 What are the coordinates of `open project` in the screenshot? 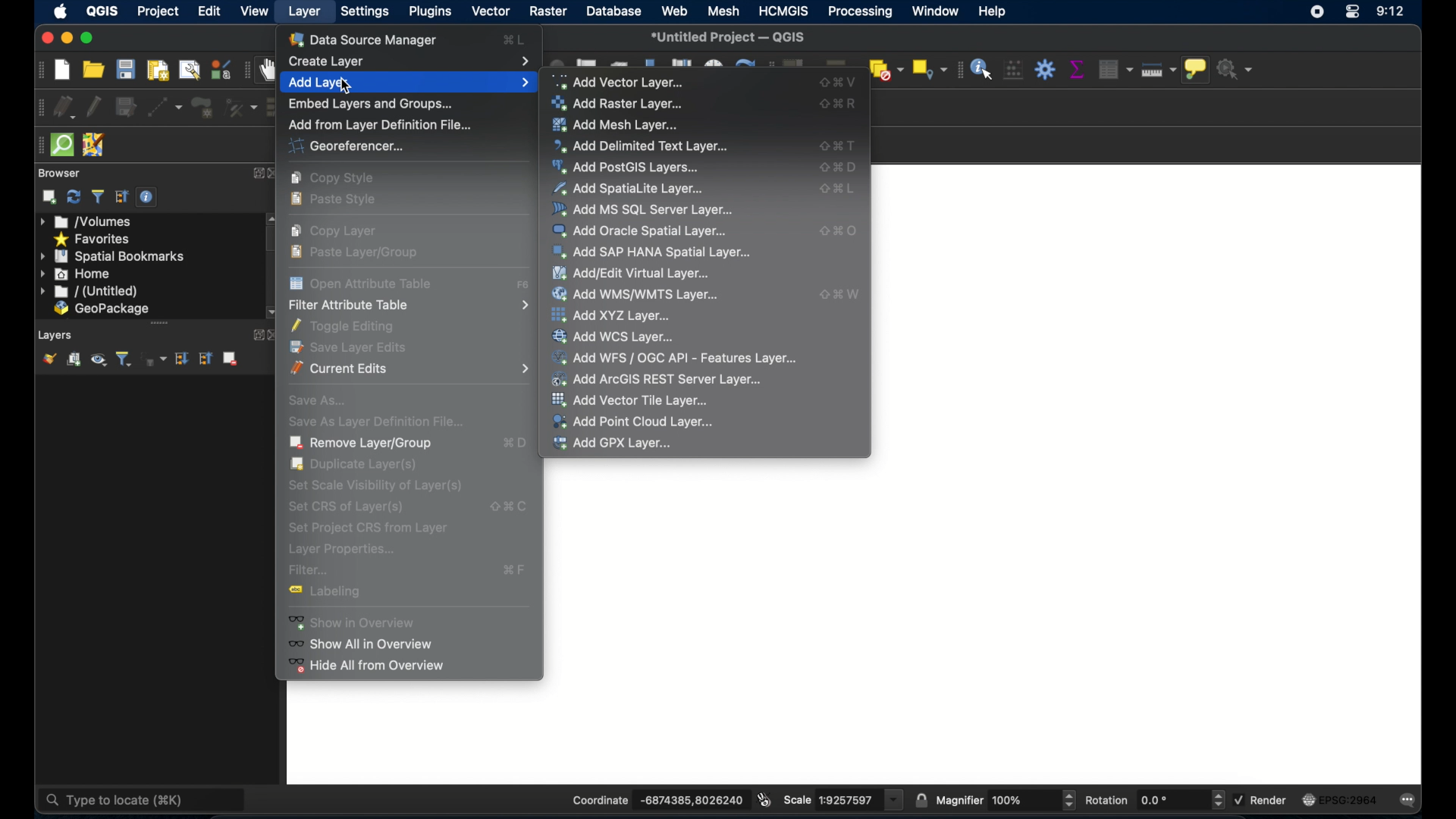 It's located at (93, 70).